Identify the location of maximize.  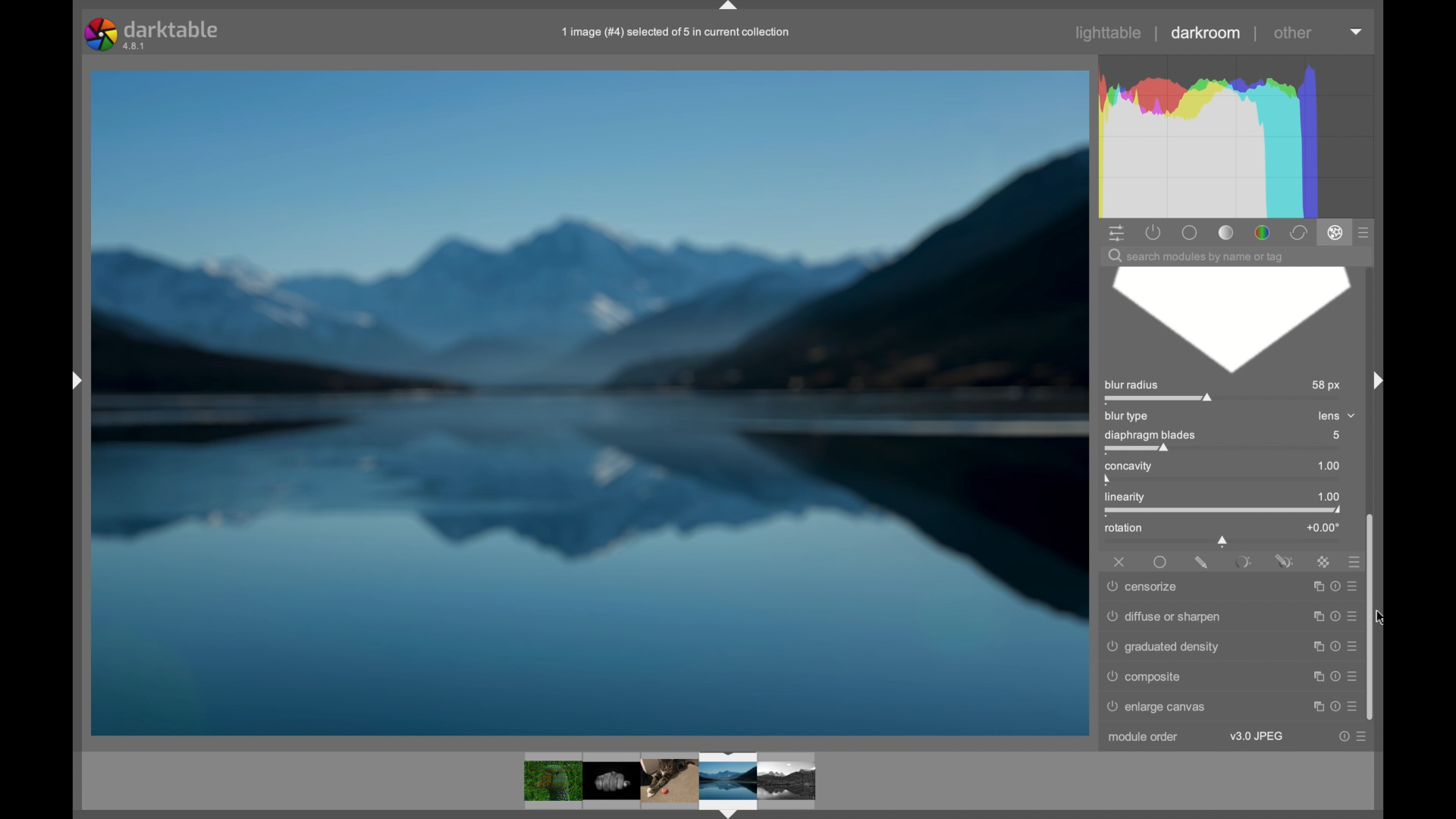
(1313, 644).